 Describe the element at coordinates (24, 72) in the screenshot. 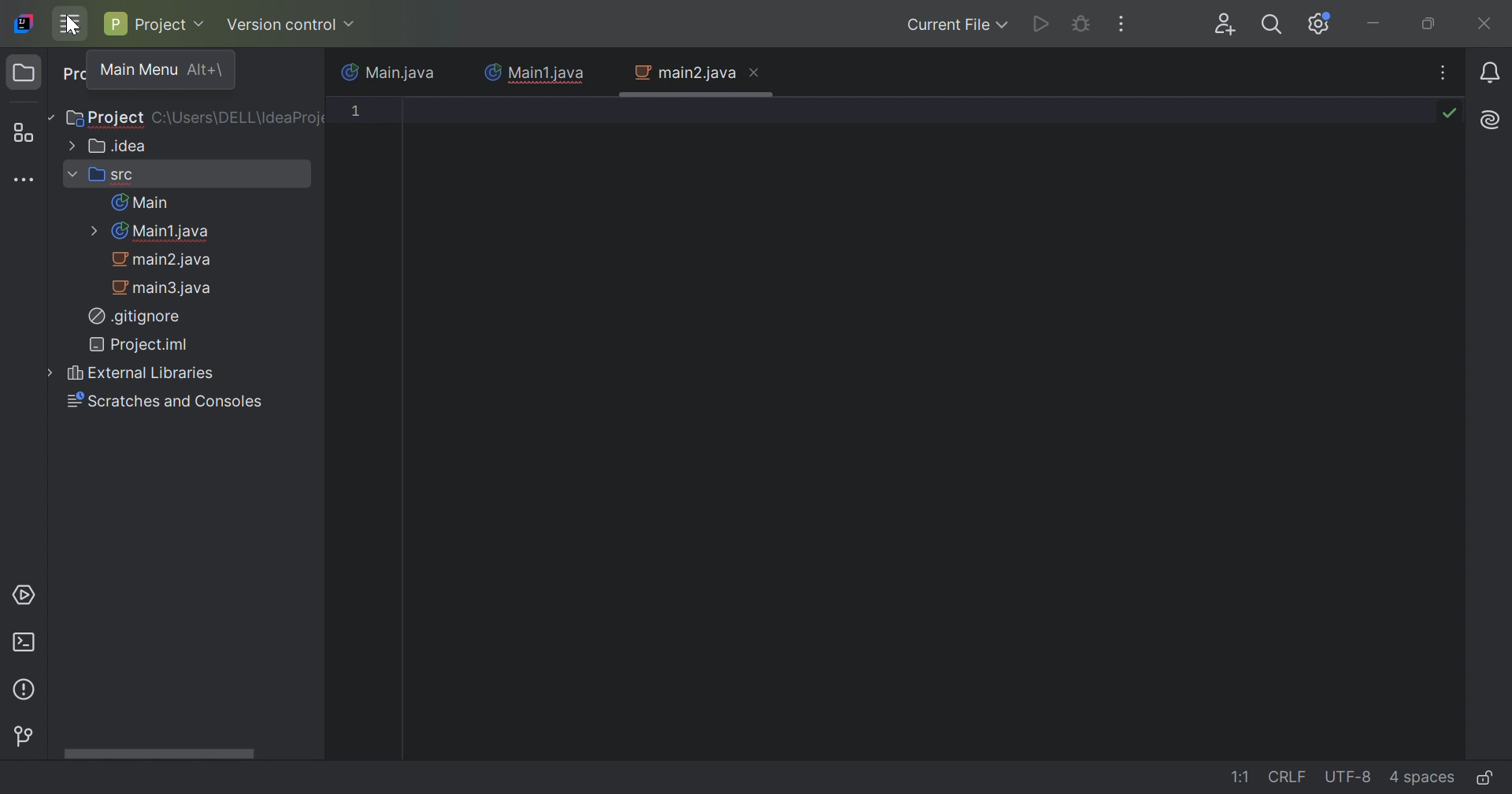

I see `Project icon` at that location.